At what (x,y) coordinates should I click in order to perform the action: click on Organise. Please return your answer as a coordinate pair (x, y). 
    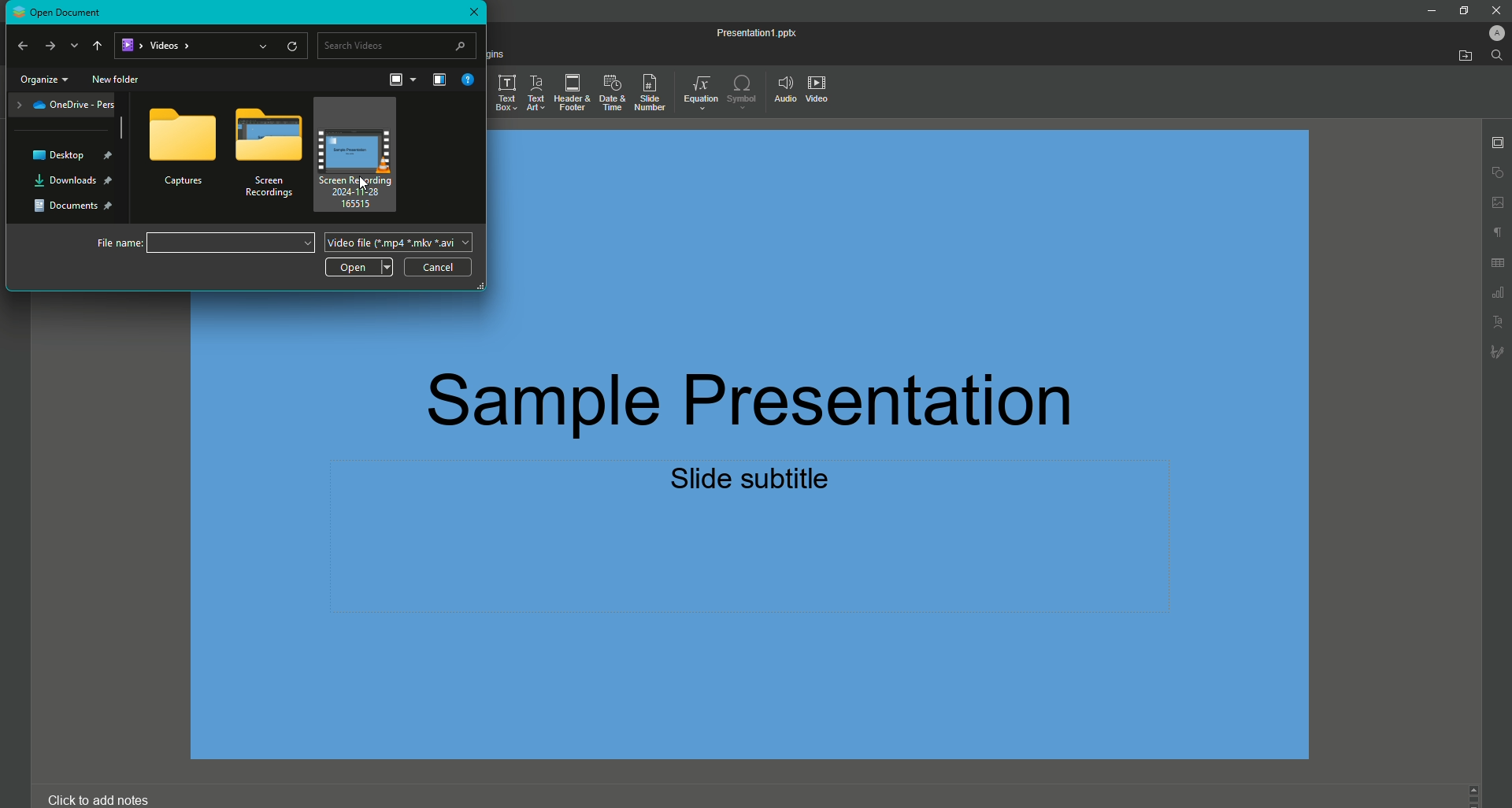
    Looking at the image, I should click on (440, 80).